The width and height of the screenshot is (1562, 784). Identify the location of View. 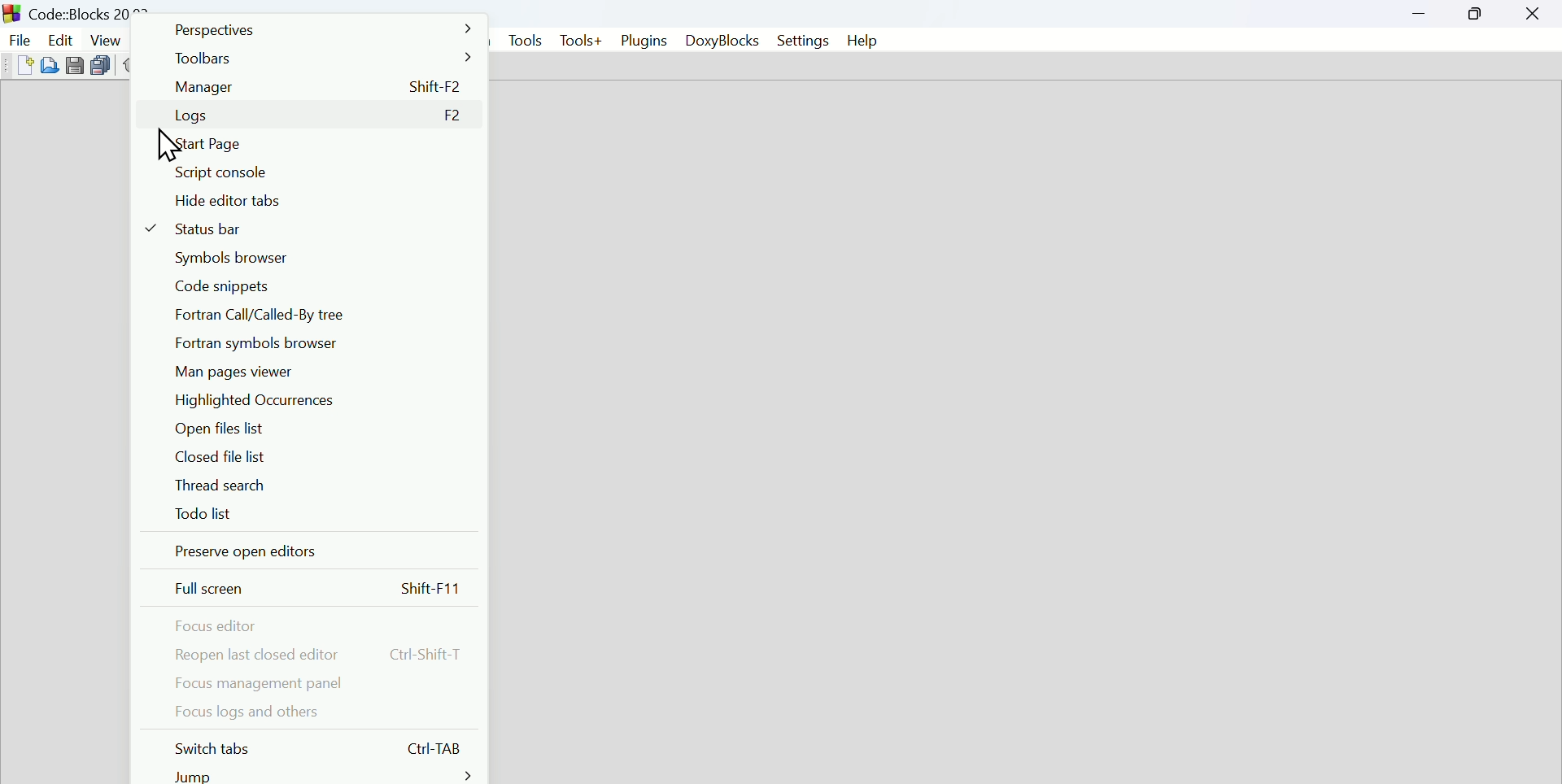
(106, 39).